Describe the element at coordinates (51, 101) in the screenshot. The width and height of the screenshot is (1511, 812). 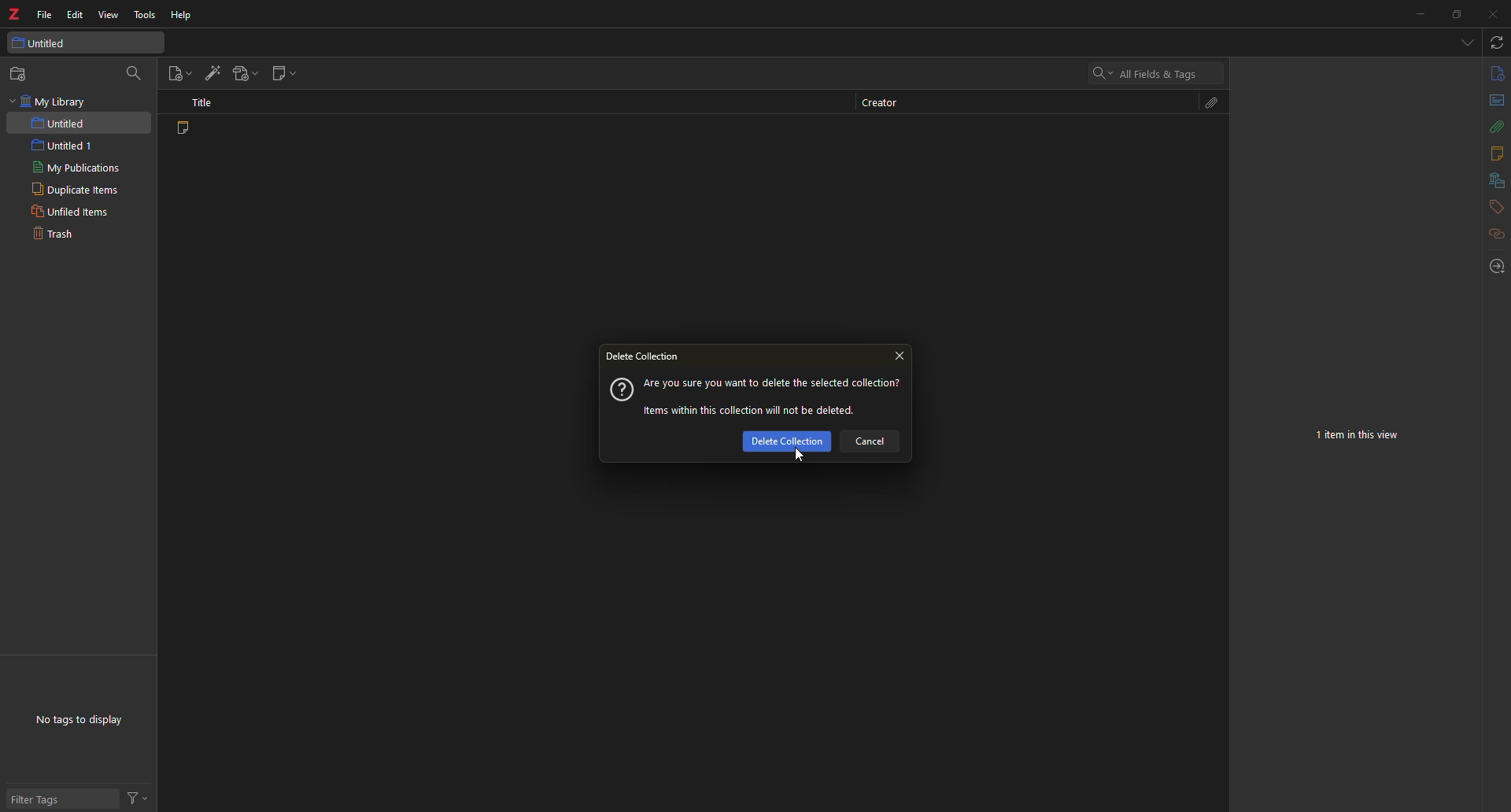
I see `my library` at that location.